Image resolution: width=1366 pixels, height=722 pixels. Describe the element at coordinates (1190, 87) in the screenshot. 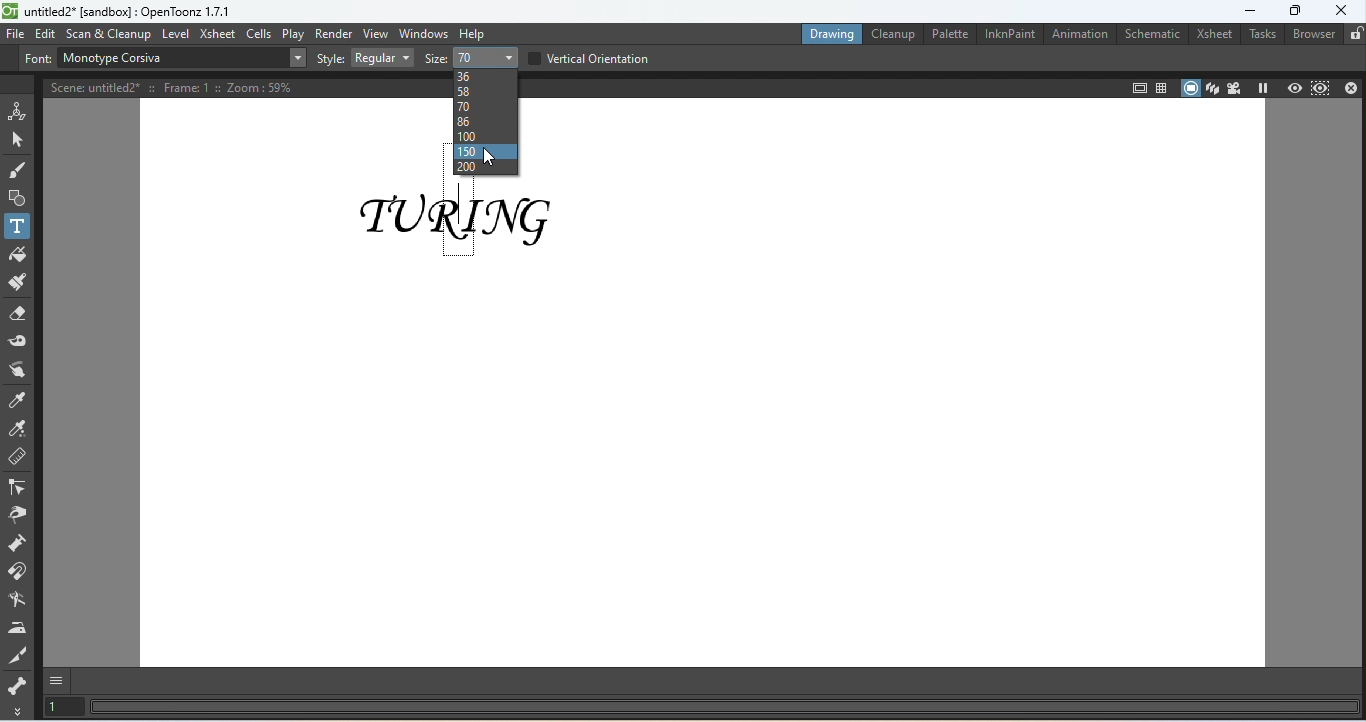

I see `Camera stand view` at that location.